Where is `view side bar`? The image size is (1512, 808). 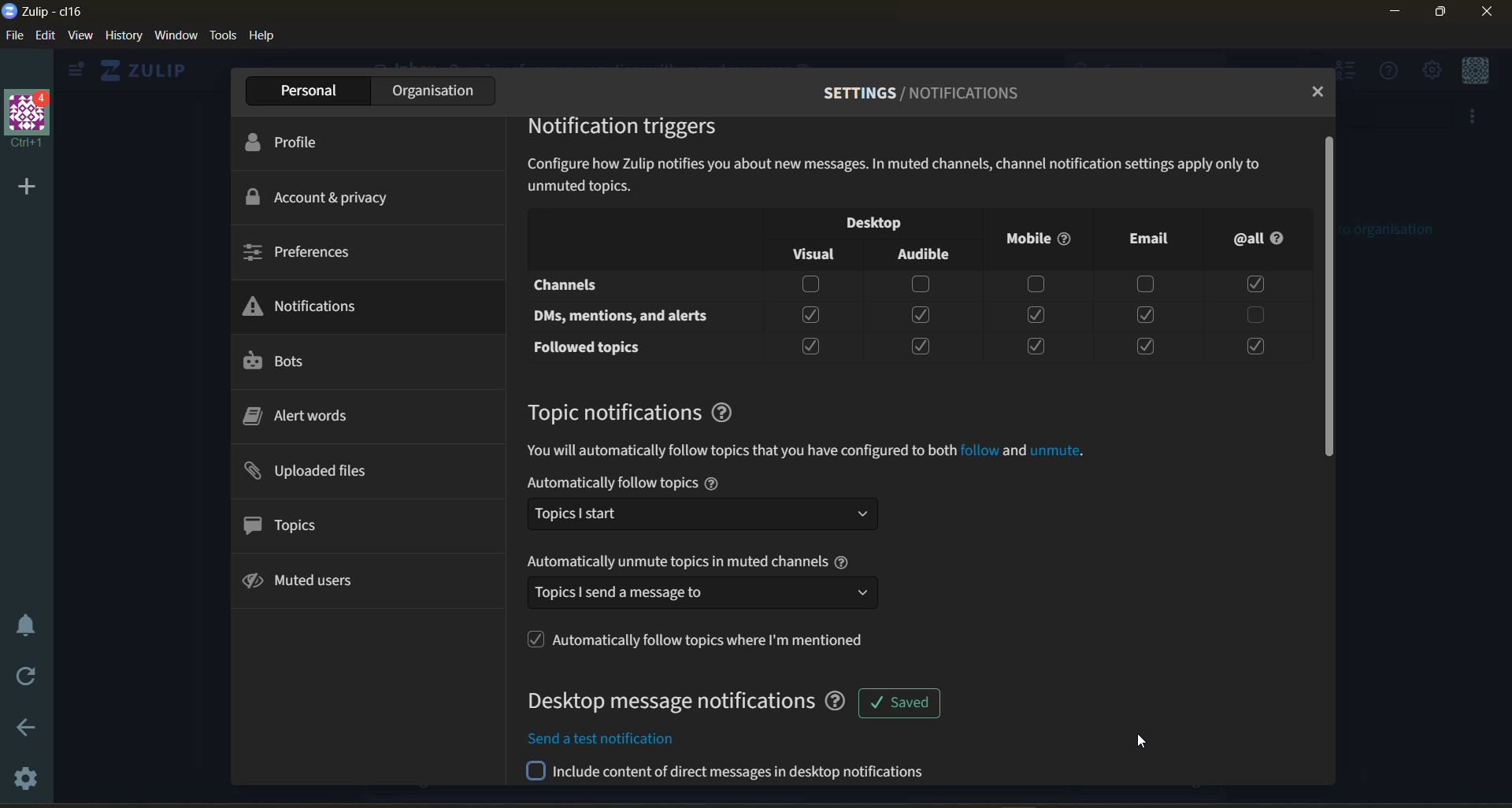
view side bar is located at coordinates (79, 71).